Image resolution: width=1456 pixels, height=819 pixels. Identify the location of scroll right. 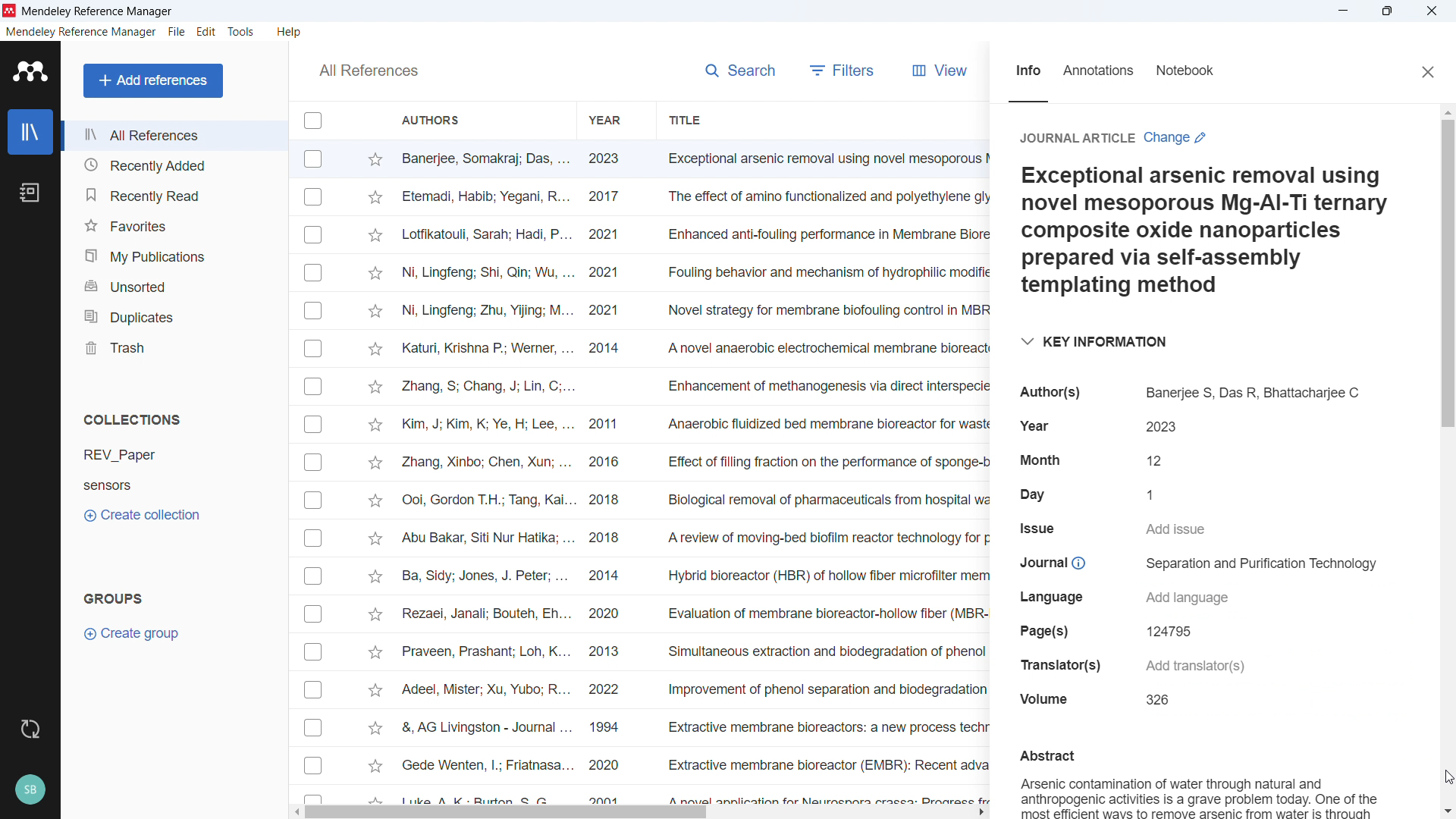
(979, 813).